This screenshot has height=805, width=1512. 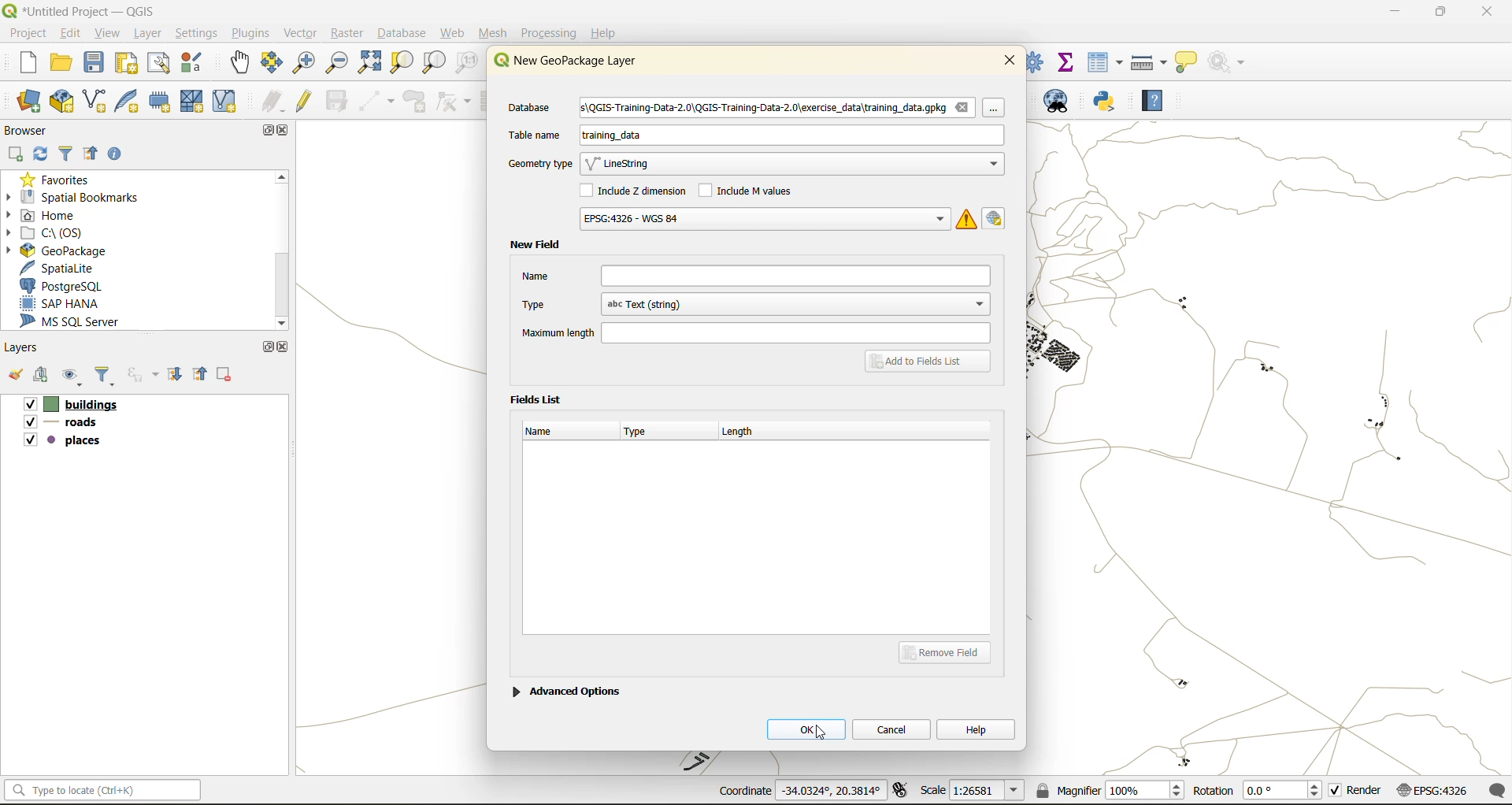 I want to click on crs (EPSG: 4326-WGS 84), so click(x=763, y=219).